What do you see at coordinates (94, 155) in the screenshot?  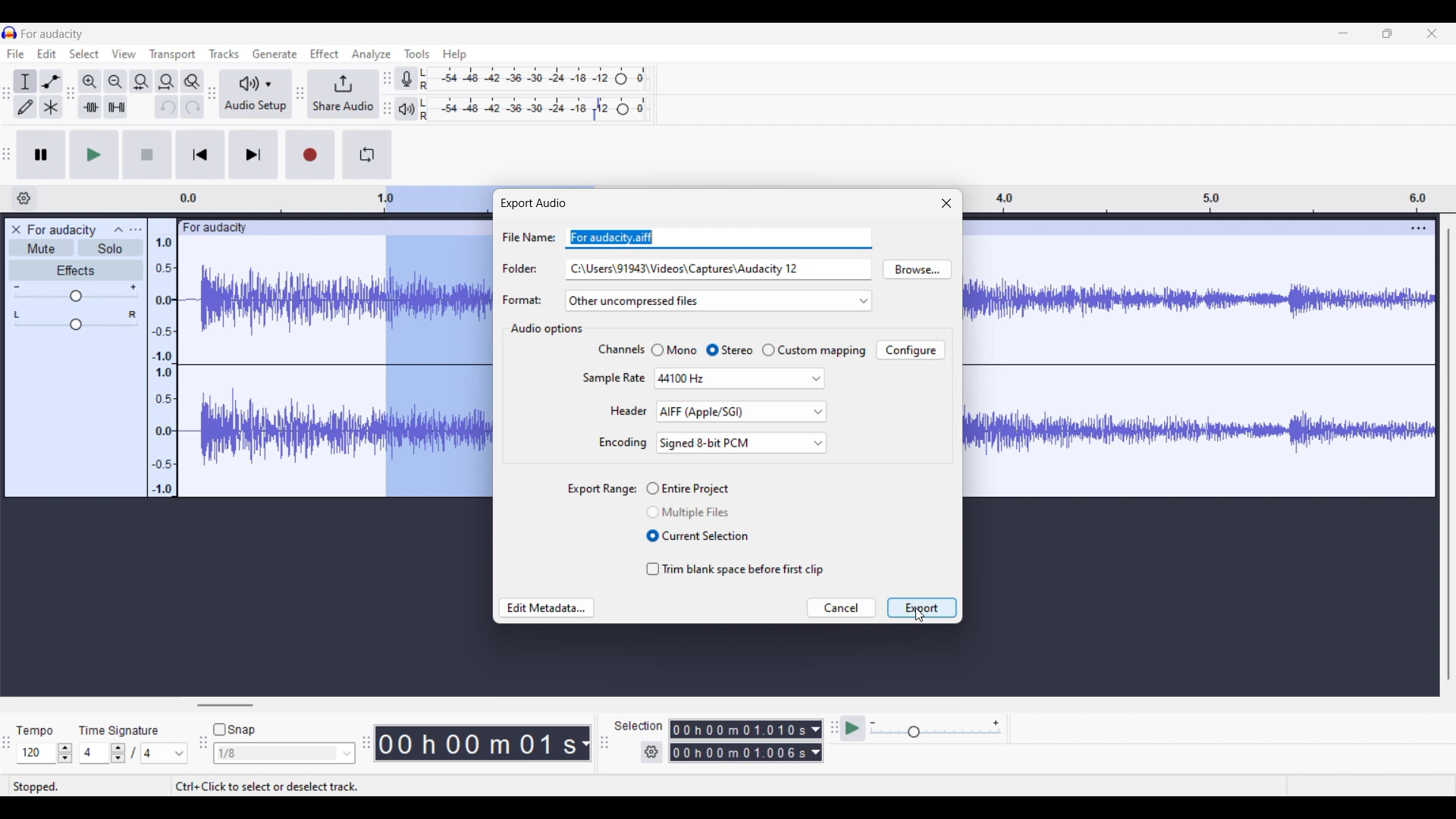 I see `Play/Play once` at bounding box center [94, 155].